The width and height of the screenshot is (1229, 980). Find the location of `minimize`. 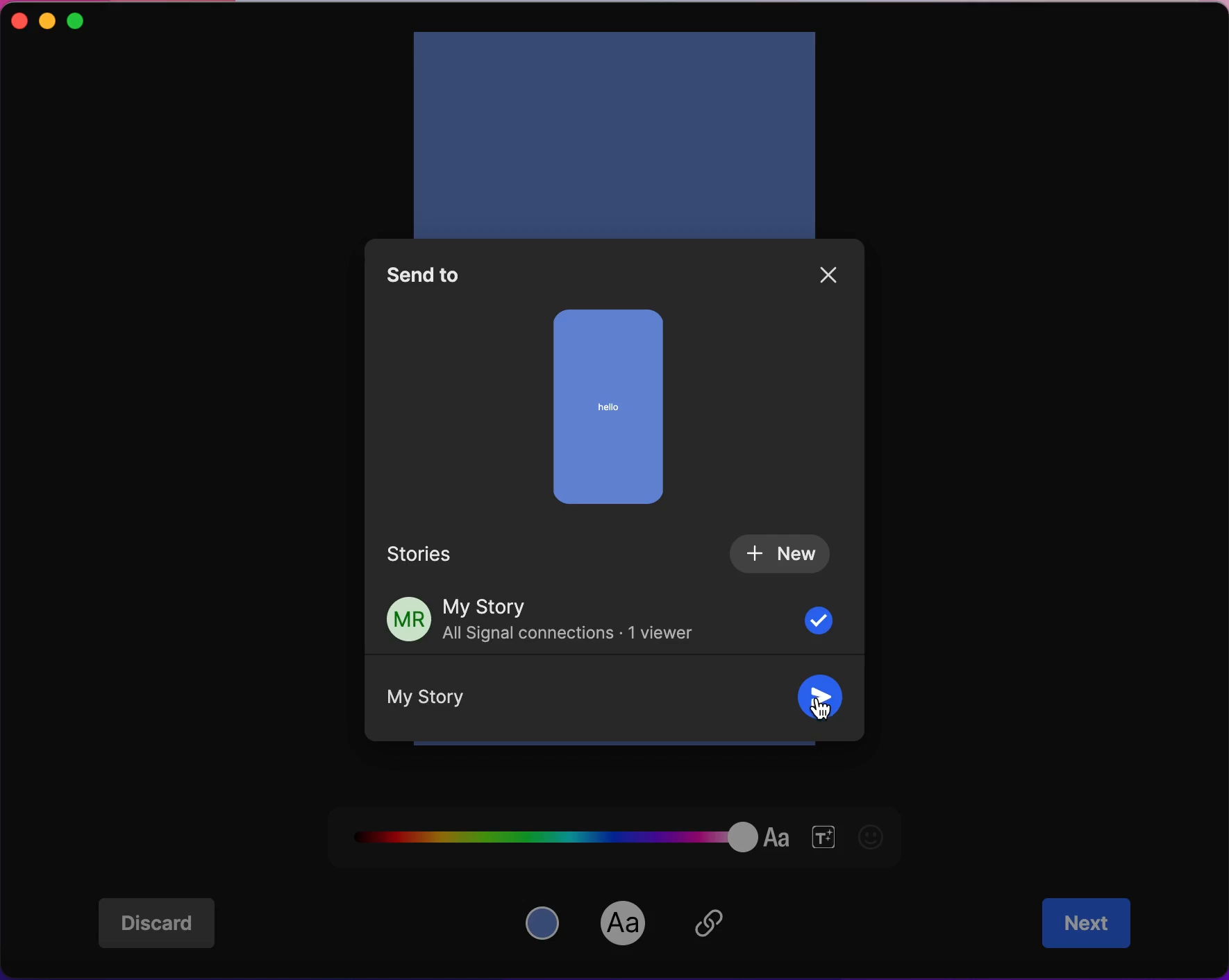

minimize is located at coordinates (48, 21).